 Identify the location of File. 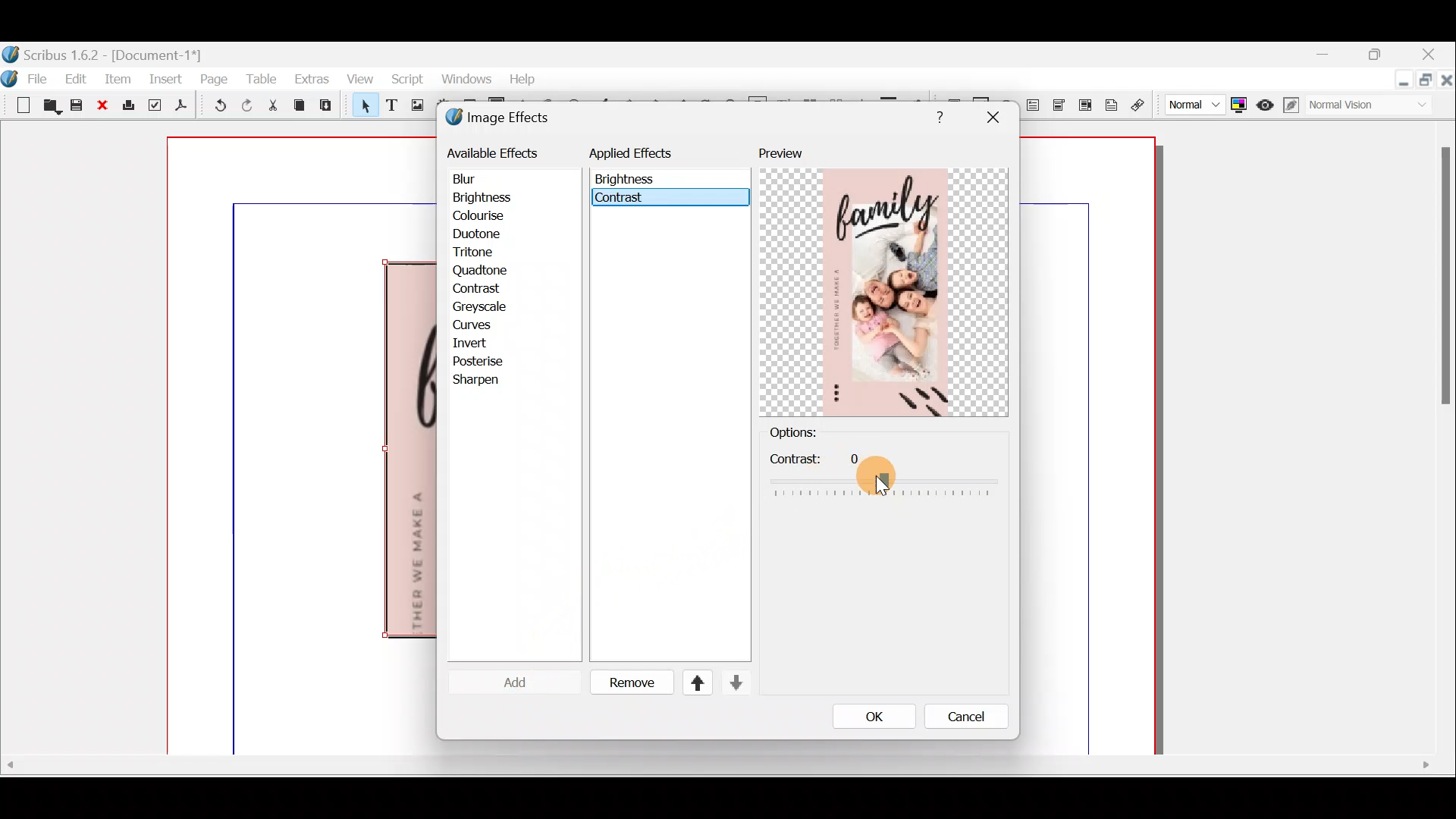
(39, 77).